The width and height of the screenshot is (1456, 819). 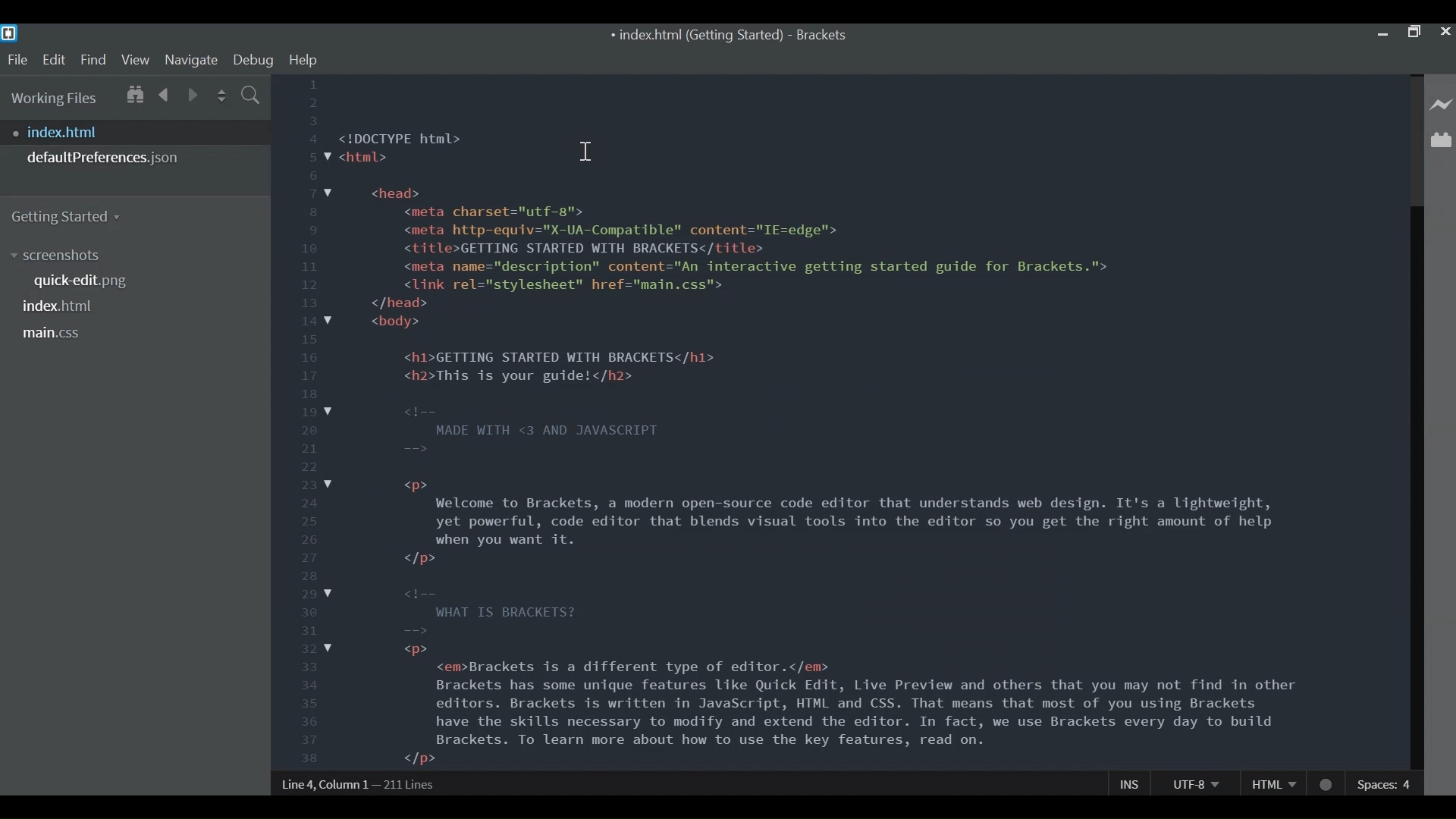 What do you see at coordinates (87, 283) in the screenshot?
I see `quick-edit.png` at bounding box center [87, 283].